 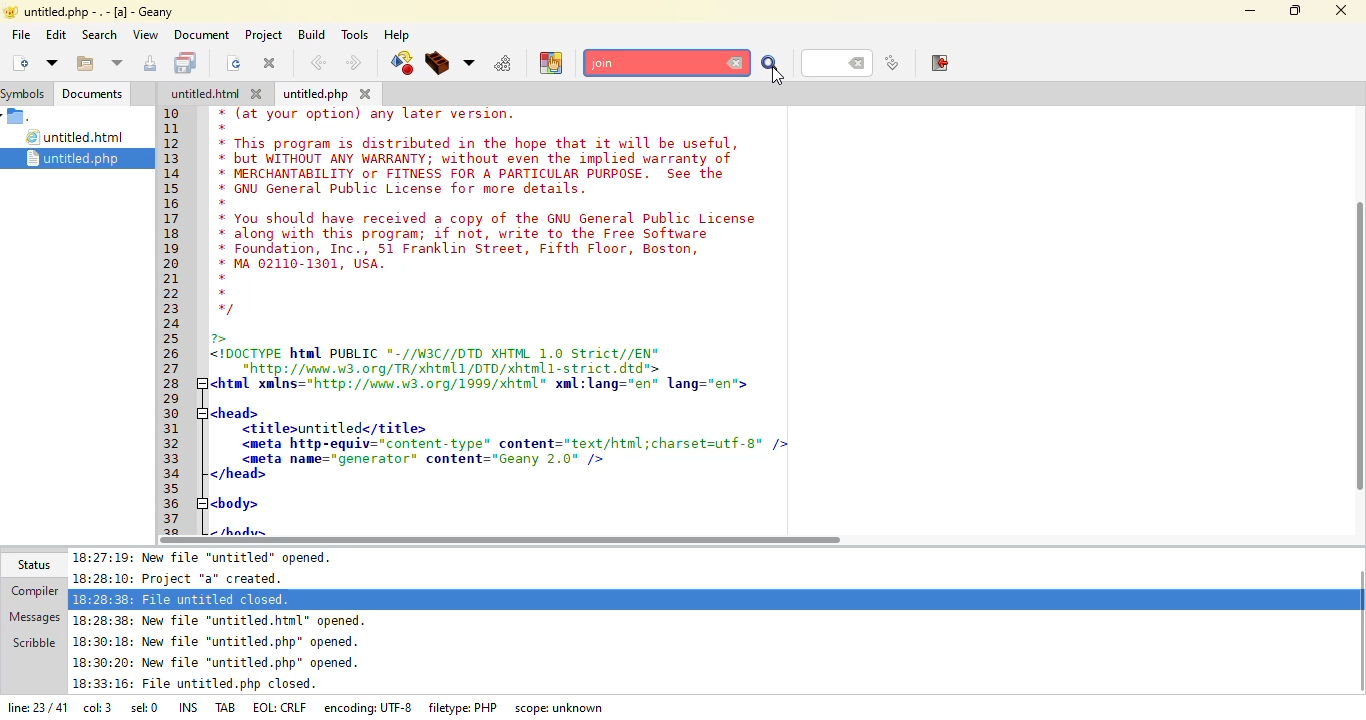 What do you see at coordinates (92, 12) in the screenshot?
I see `untitled.php-.-[a]-Geany` at bounding box center [92, 12].